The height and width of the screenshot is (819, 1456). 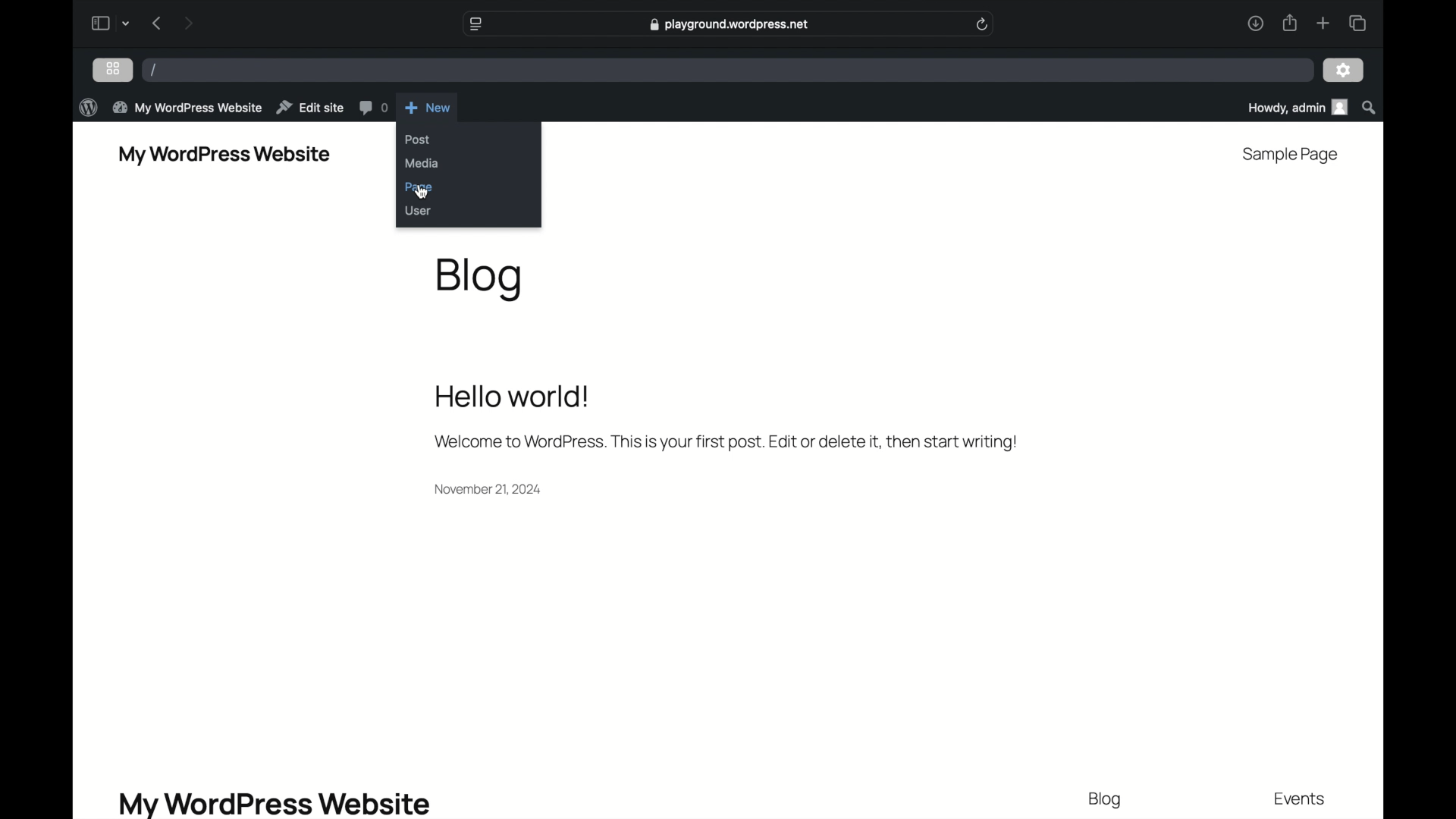 What do you see at coordinates (88, 108) in the screenshot?
I see `wordpress` at bounding box center [88, 108].